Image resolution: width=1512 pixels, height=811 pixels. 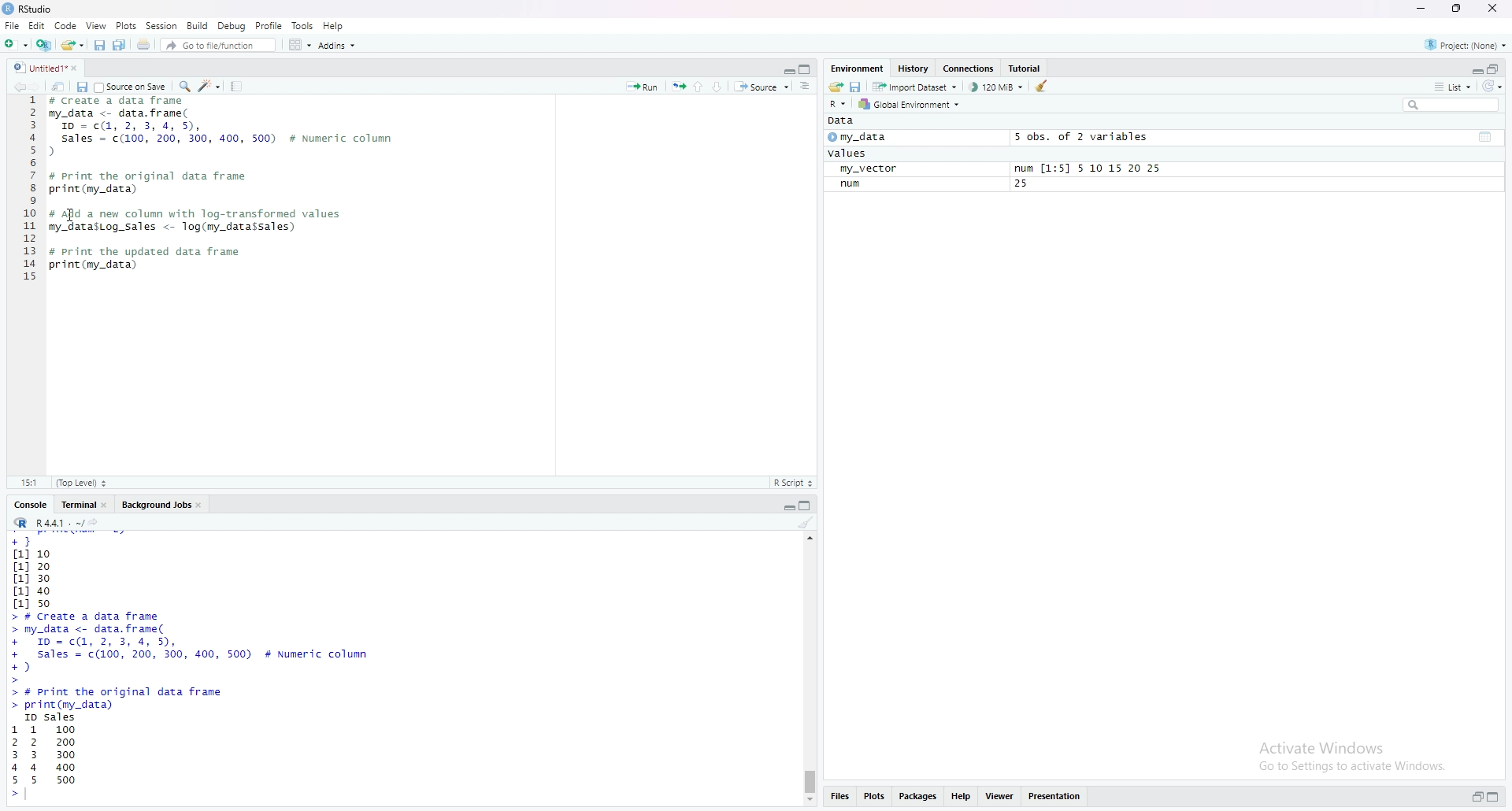 What do you see at coordinates (336, 45) in the screenshot?
I see `addins` at bounding box center [336, 45].